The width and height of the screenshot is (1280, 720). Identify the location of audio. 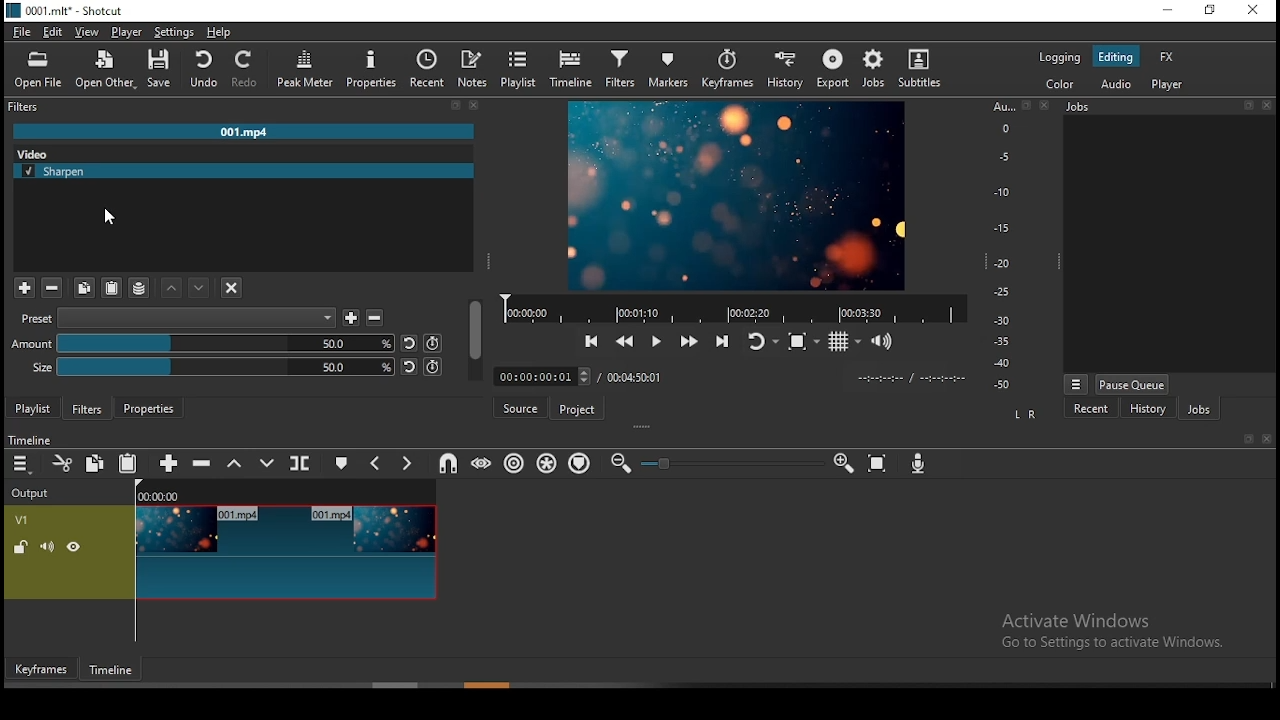
(1112, 82).